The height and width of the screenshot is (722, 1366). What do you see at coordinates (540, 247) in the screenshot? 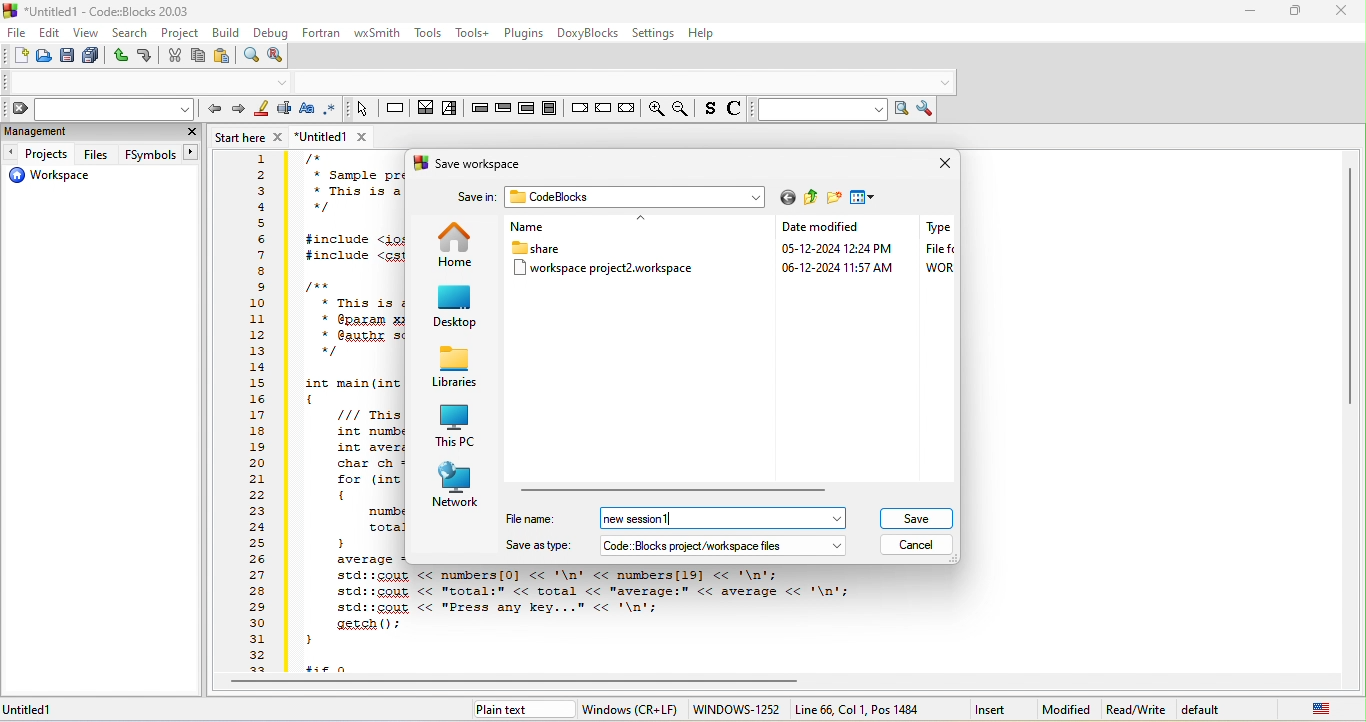
I see `share` at bounding box center [540, 247].